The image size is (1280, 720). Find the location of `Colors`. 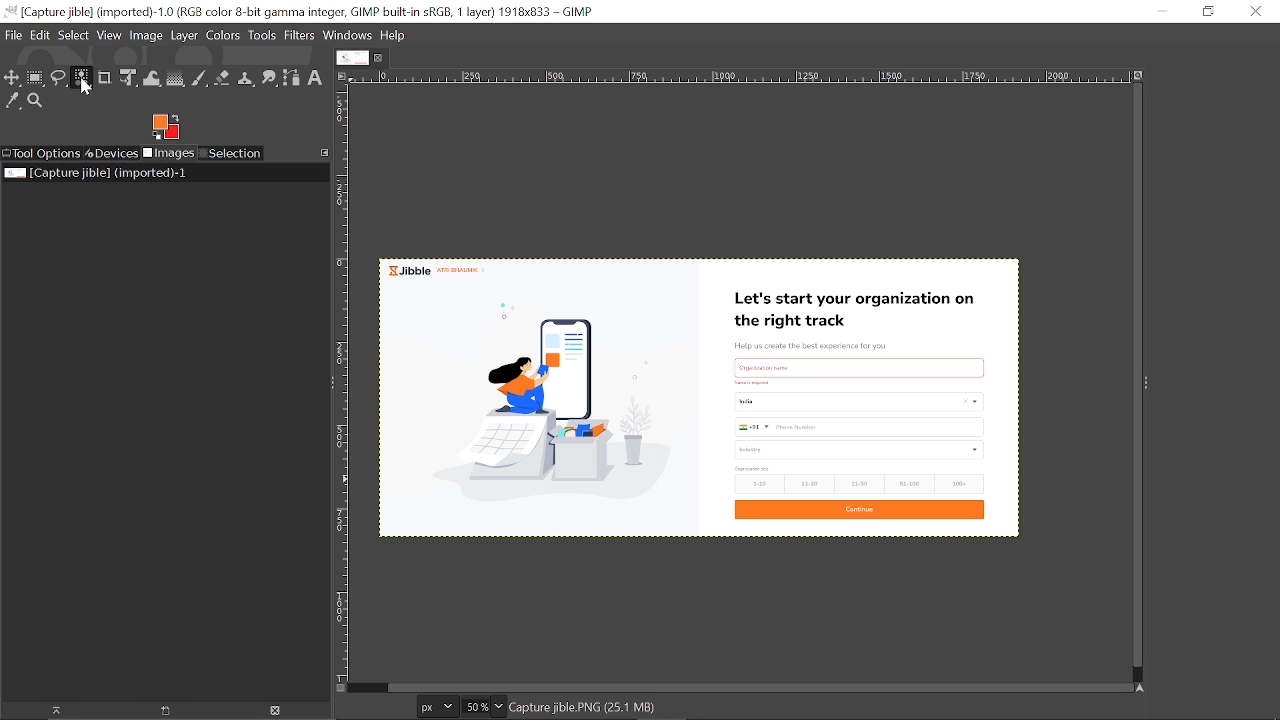

Colors is located at coordinates (224, 35).